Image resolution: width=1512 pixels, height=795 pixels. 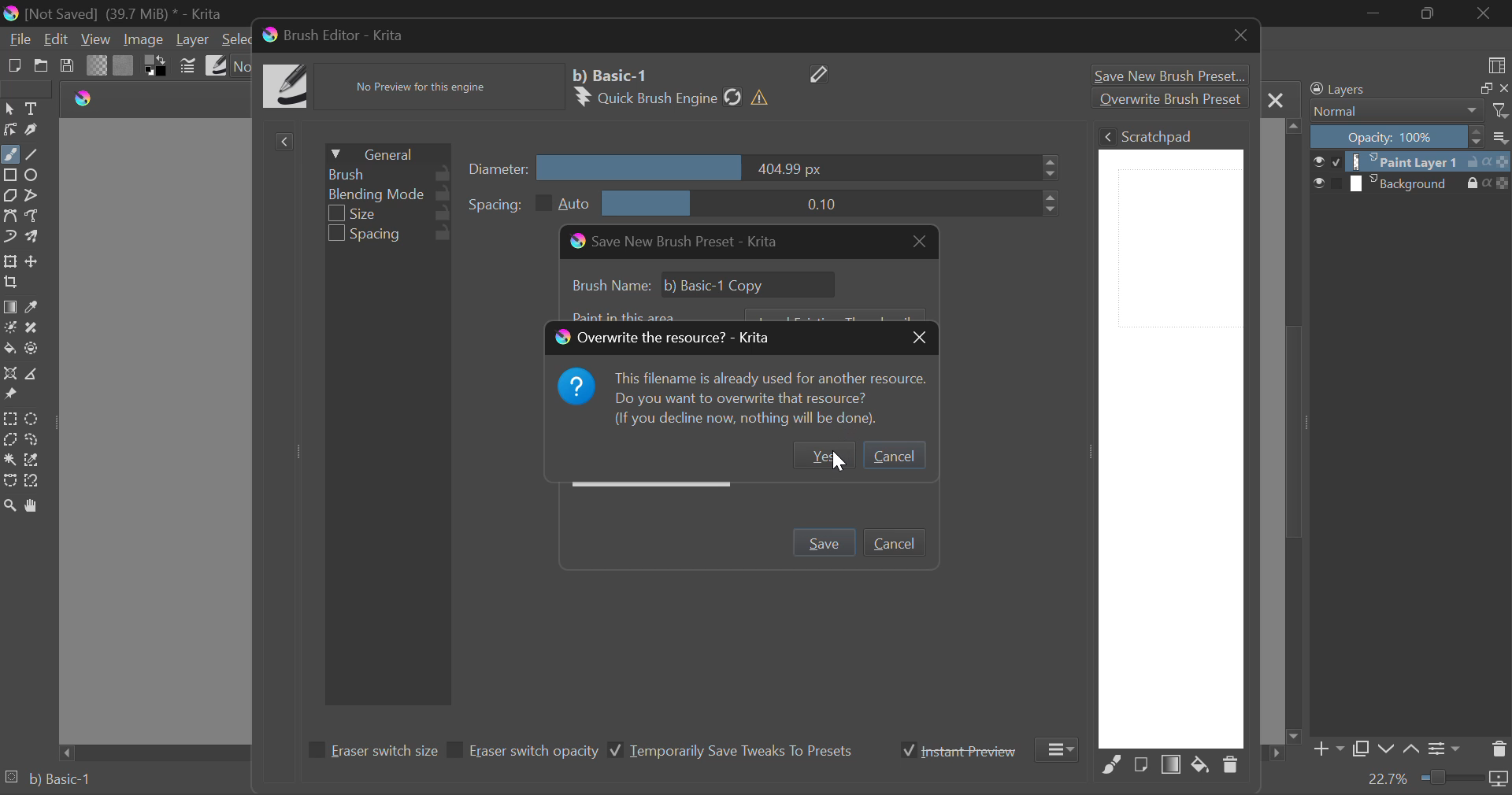 What do you see at coordinates (283, 142) in the screenshot?
I see `Show Presets` at bounding box center [283, 142].